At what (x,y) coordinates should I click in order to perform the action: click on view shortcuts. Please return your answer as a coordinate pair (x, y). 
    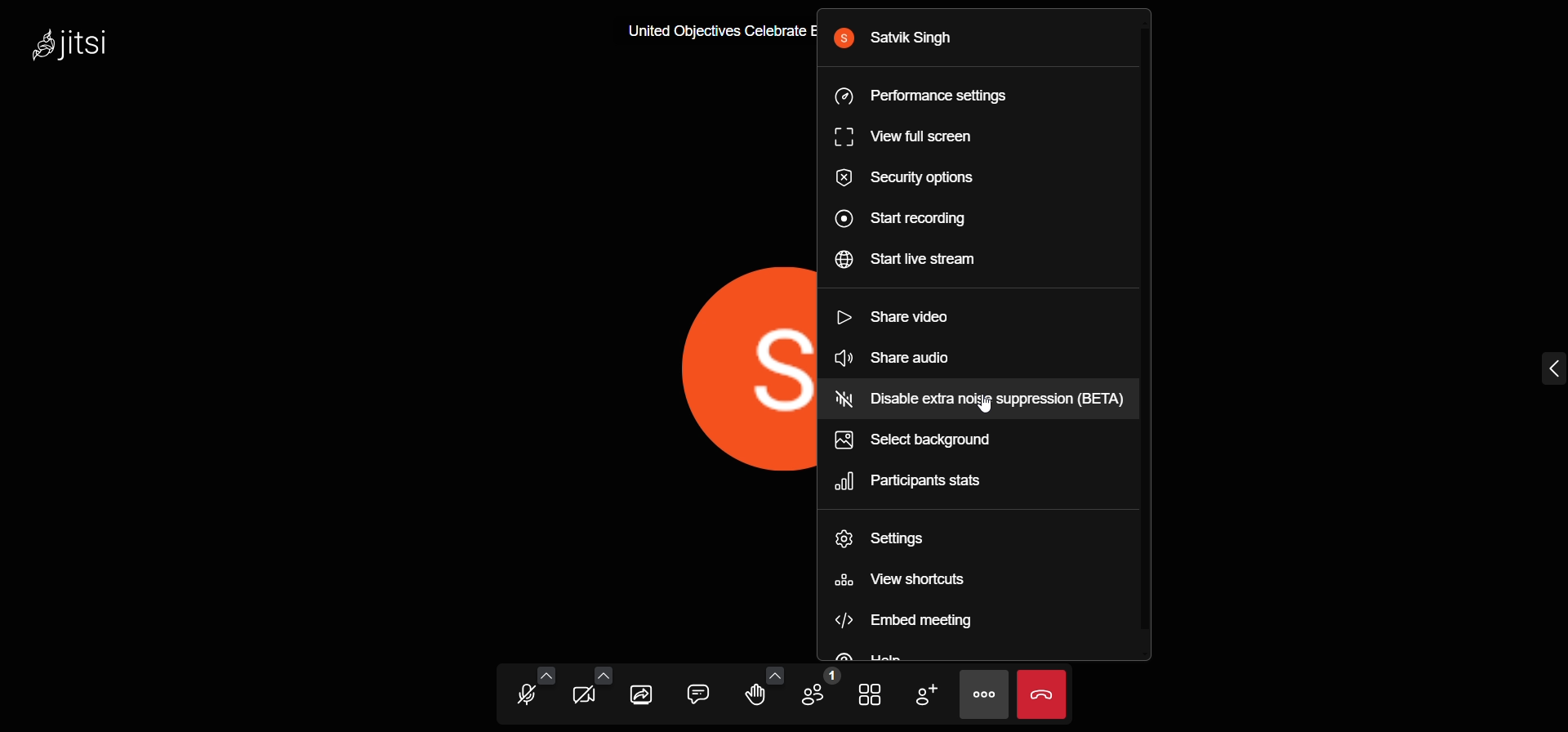
    Looking at the image, I should click on (915, 578).